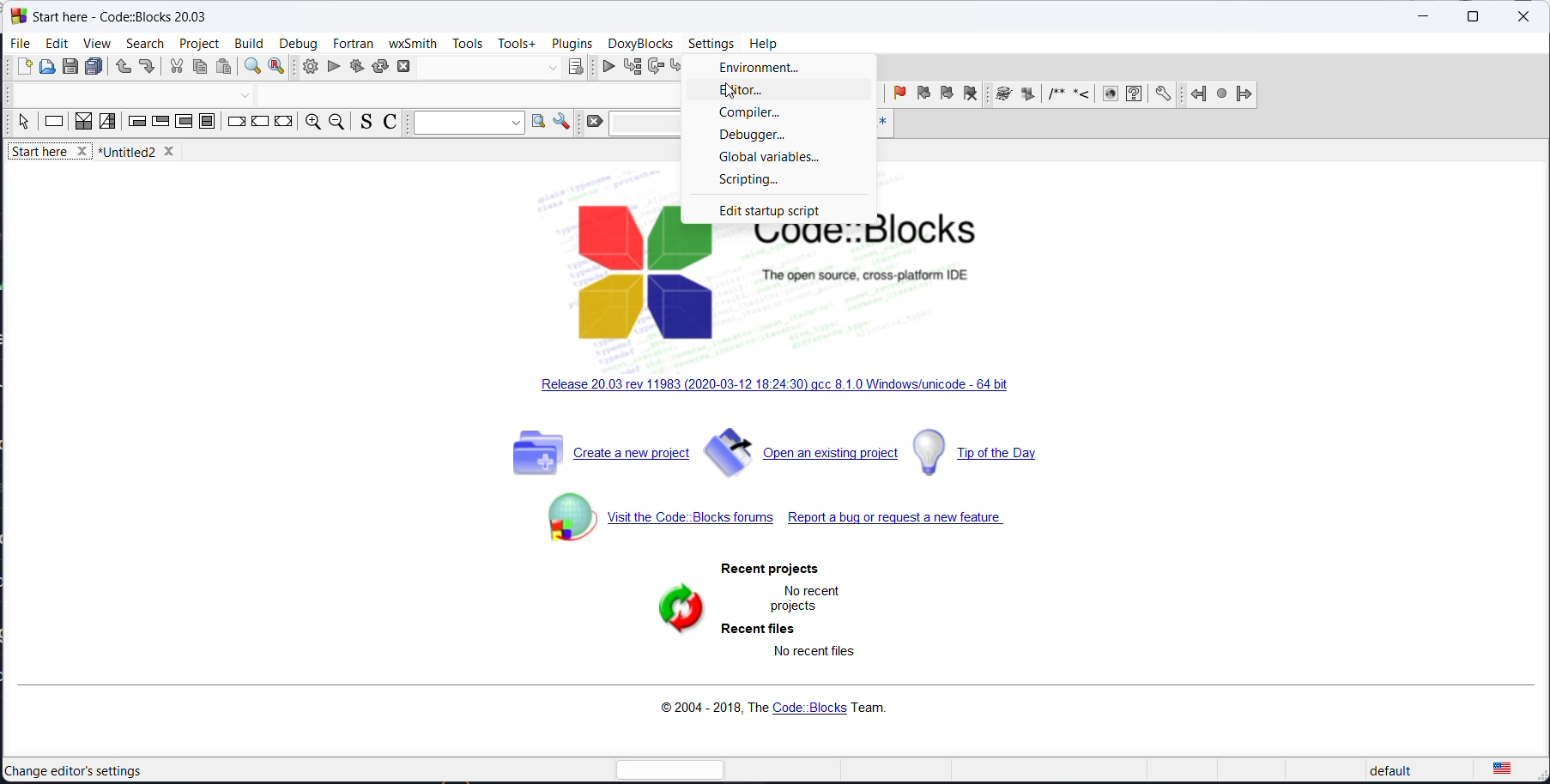 This screenshot has height=784, width=1550. What do you see at coordinates (143, 152) in the screenshot?
I see `untitled 2` at bounding box center [143, 152].